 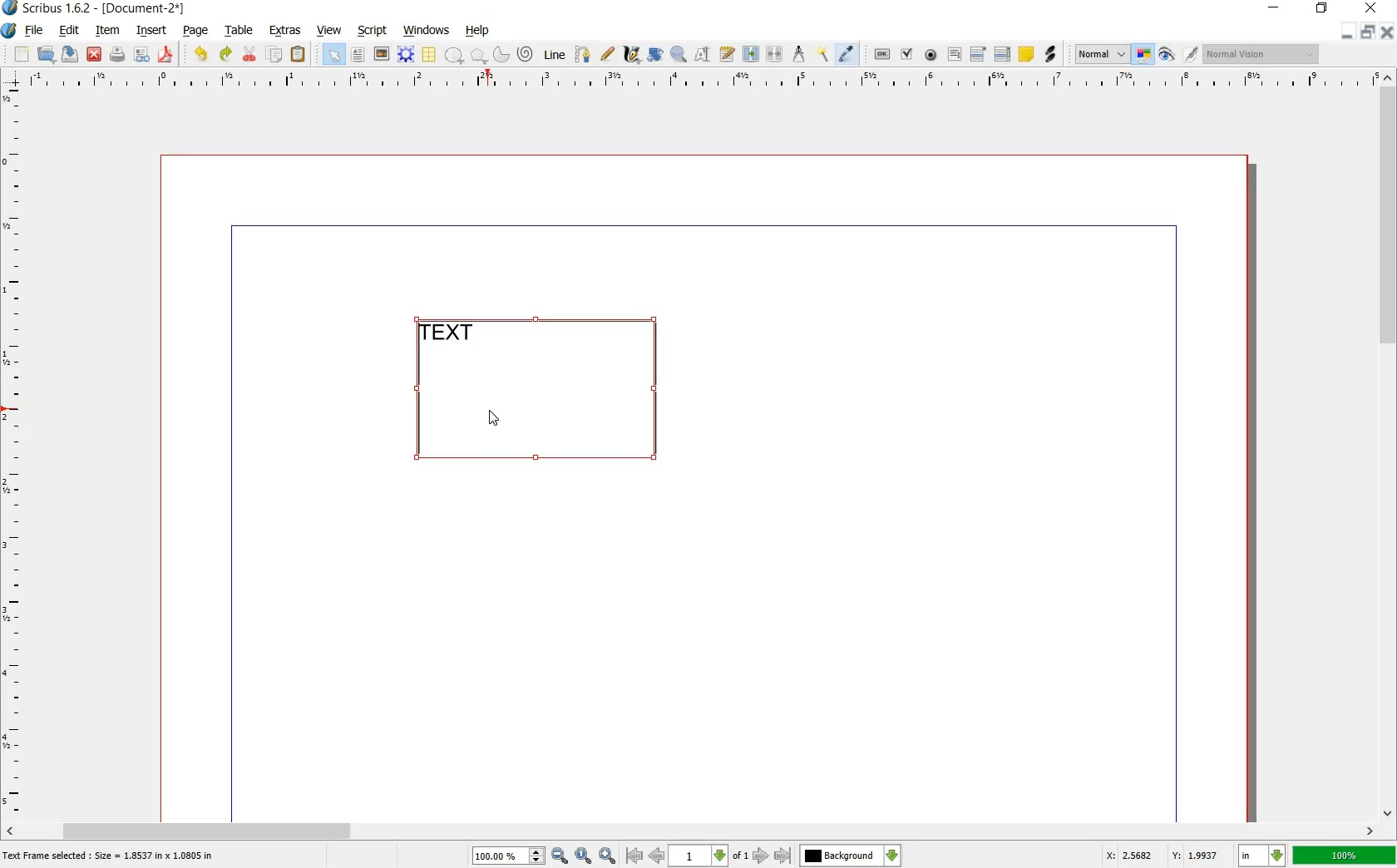 I want to click on open, so click(x=48, y=55).